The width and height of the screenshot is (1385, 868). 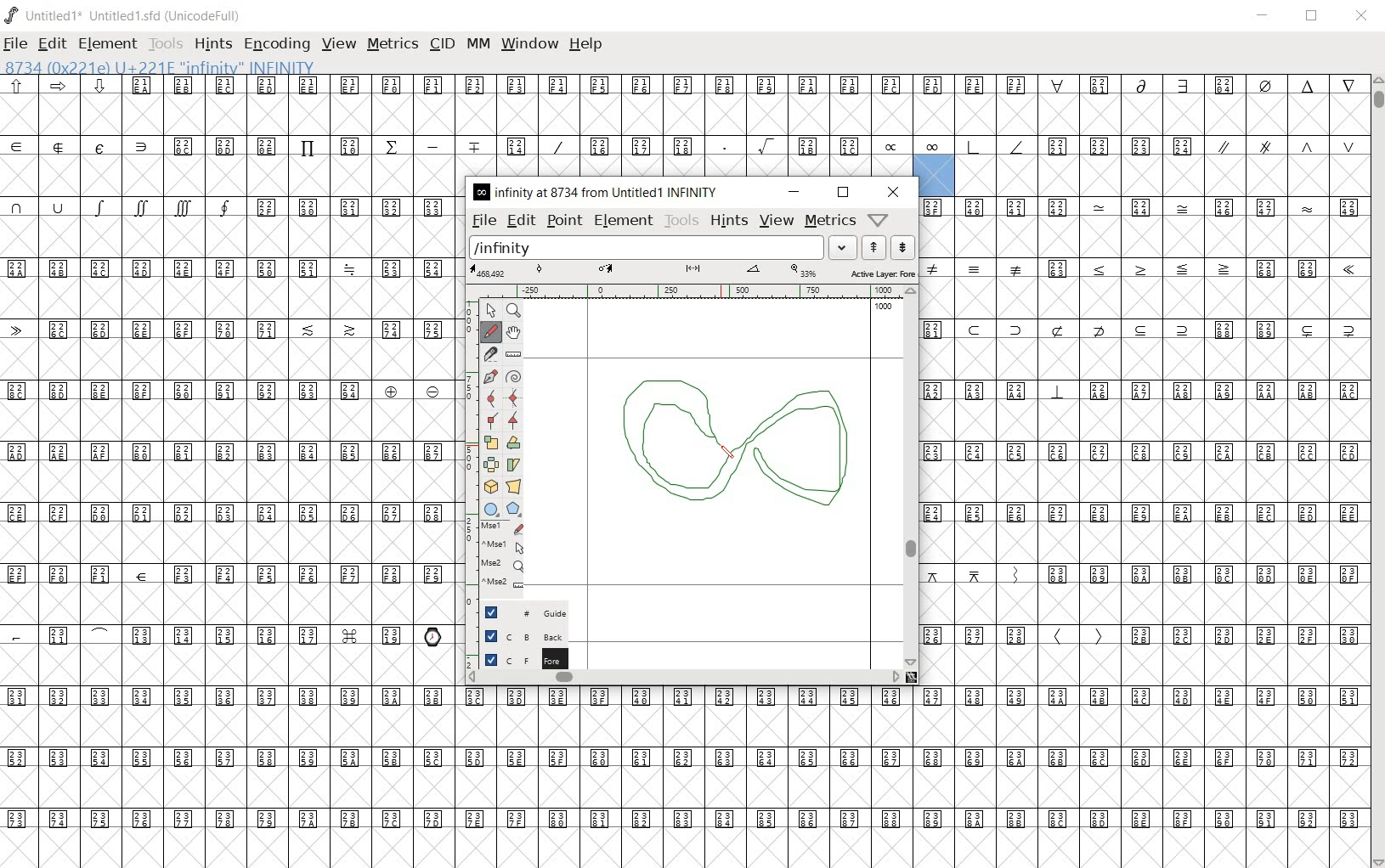 What do you see at coordinates (82, 145) in the screenshot?
I see `special symbols` at bounding box center [82, 145].